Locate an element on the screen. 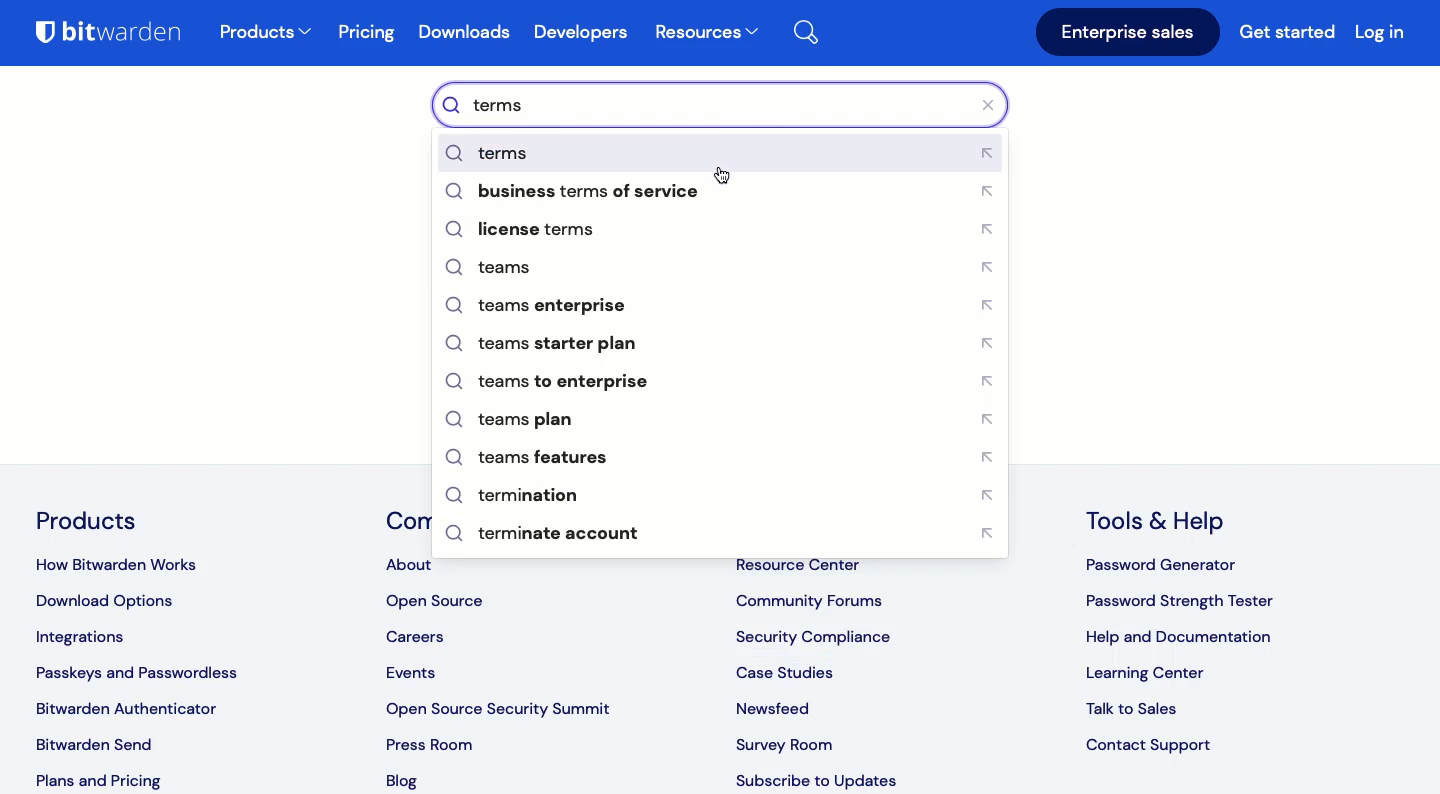 The image size is (1440, 794). Search is located at coordinates (817, 29).